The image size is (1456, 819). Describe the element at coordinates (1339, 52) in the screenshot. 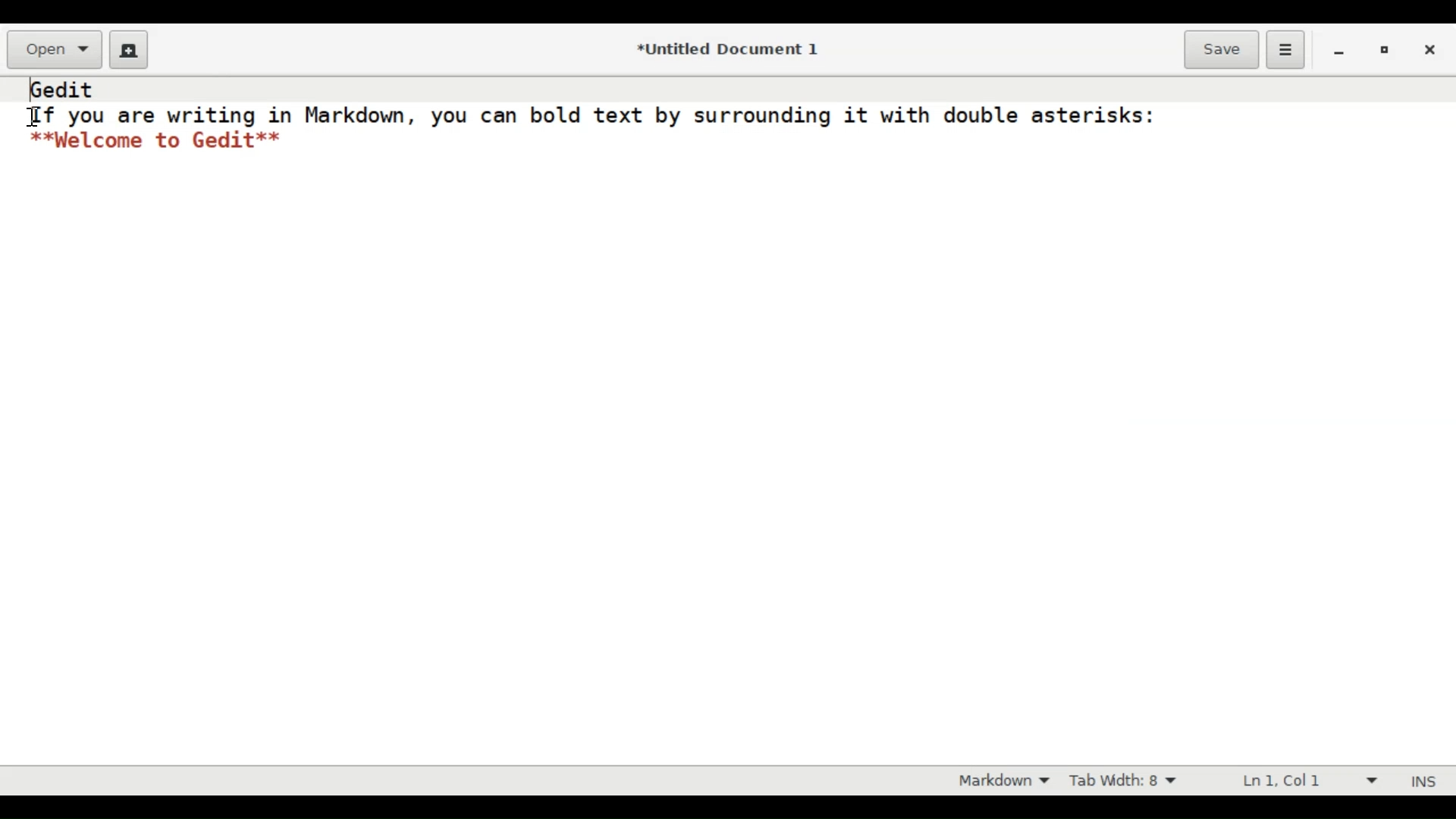

I see `minimize` at that location.